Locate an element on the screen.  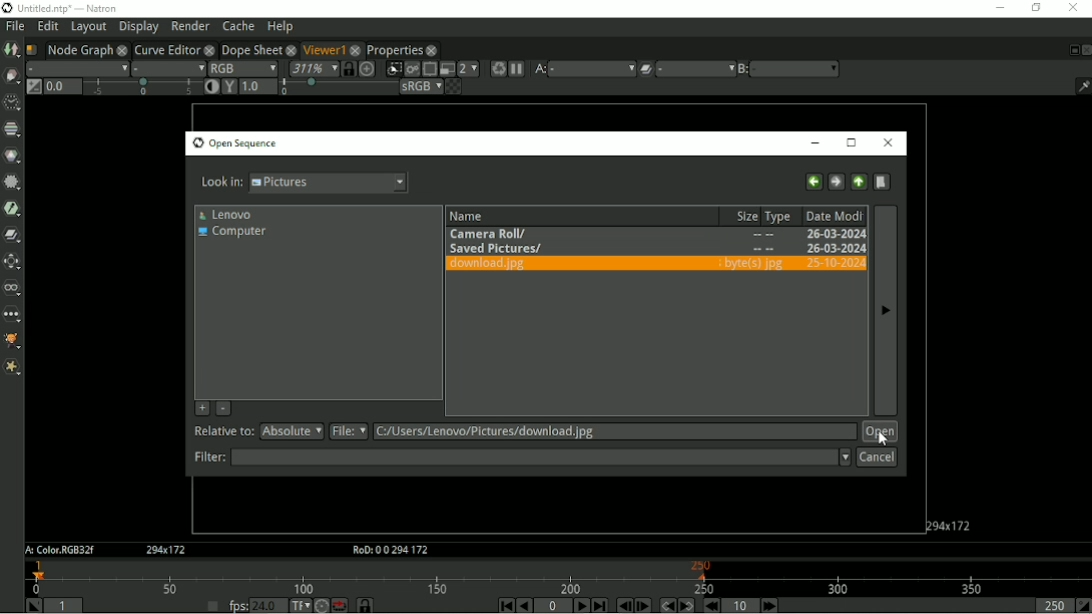
selection bar is located at coordinates (337, 88).